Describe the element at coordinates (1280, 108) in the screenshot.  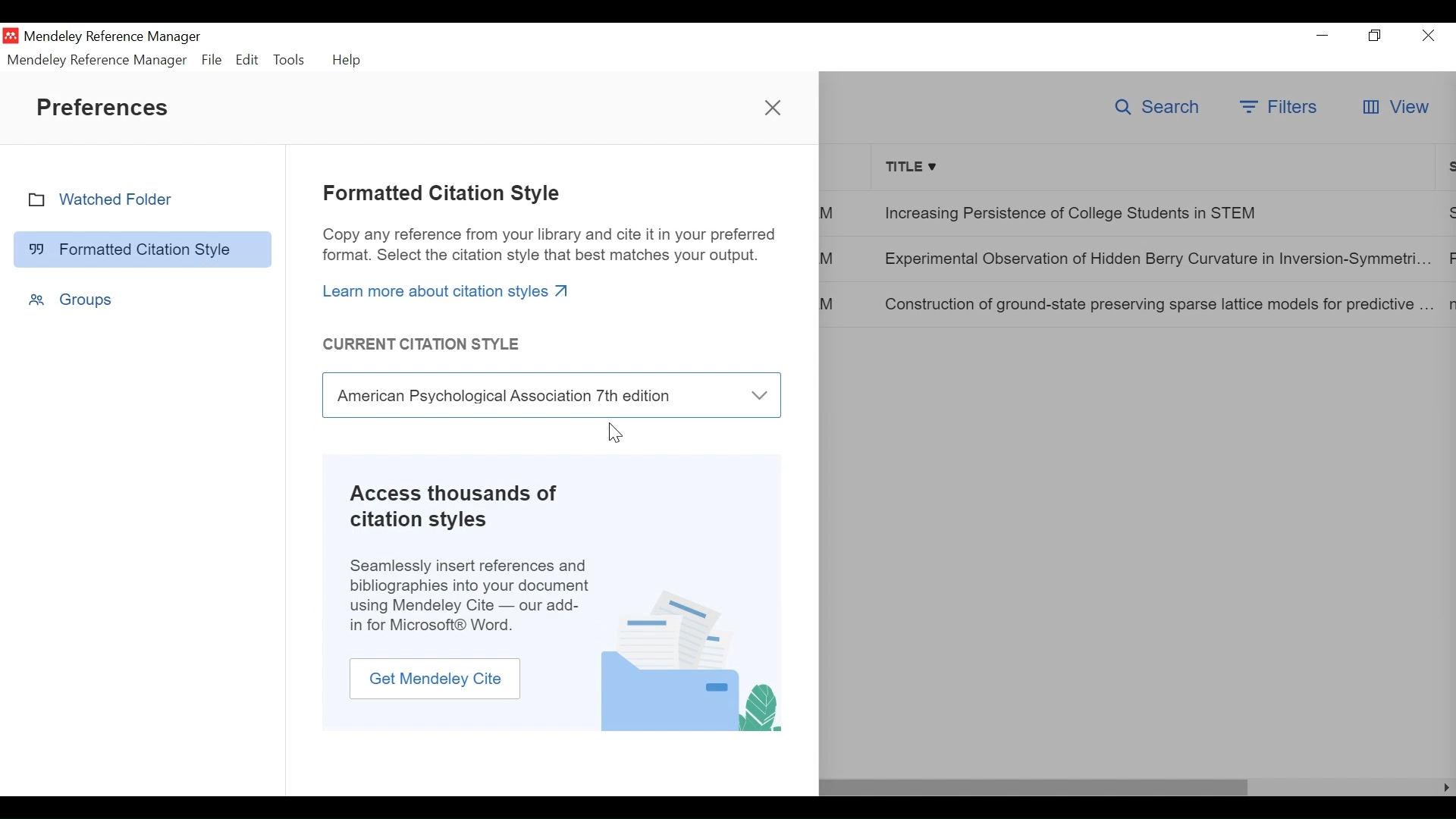
I see `Filters` at that location.